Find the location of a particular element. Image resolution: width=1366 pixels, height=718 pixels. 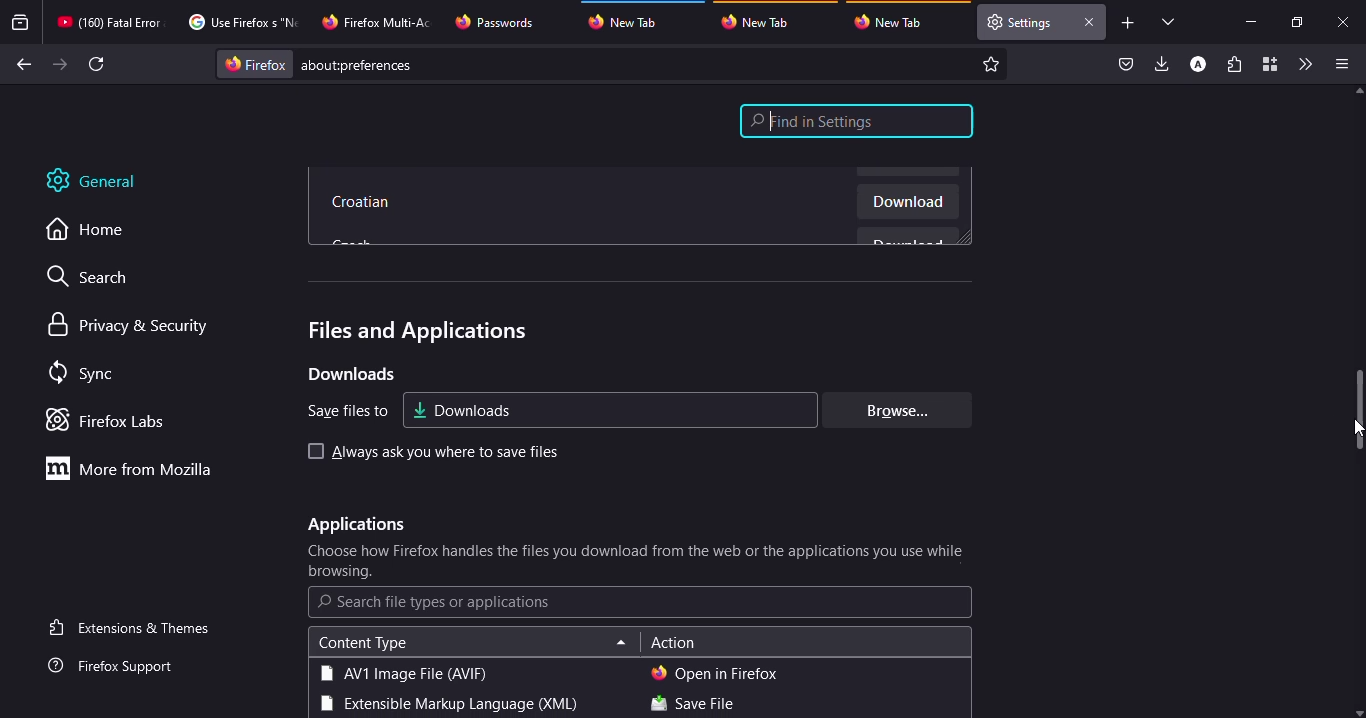

about:preferences is located at coordinates (614, 64).